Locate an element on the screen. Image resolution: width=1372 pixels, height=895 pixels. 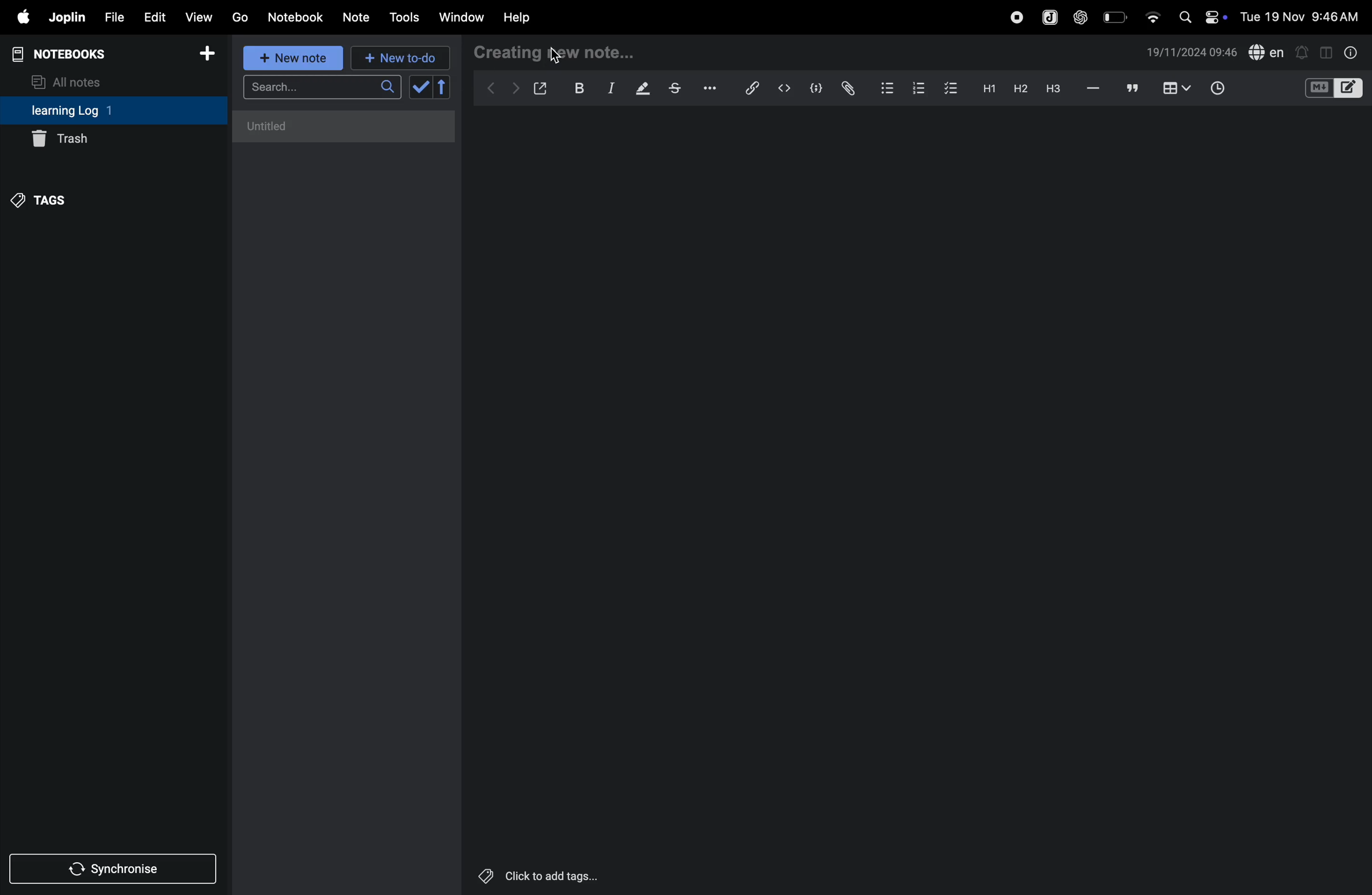
create new note is located at coordinates (570, 51).